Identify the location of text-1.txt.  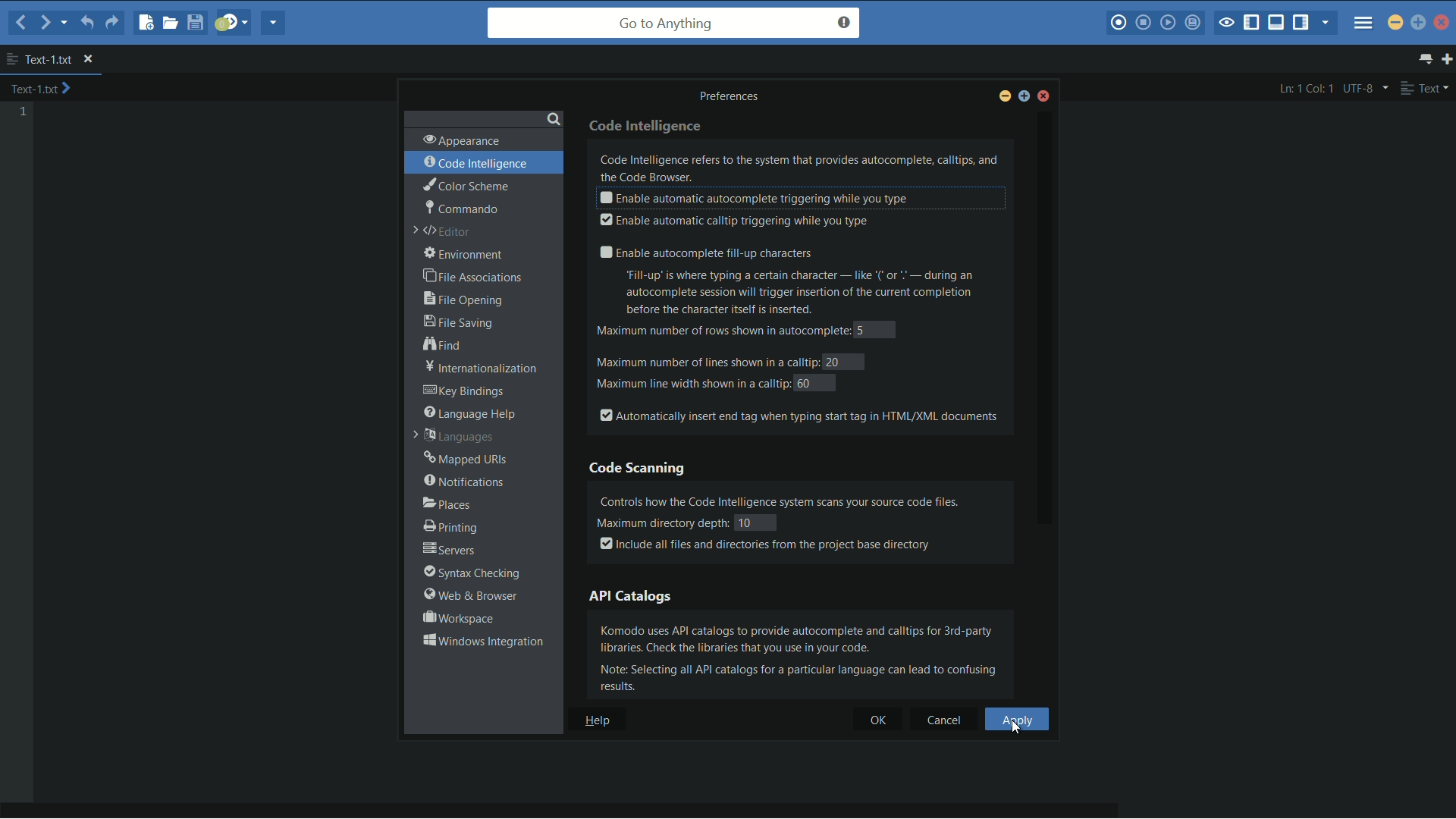
(41, 89).